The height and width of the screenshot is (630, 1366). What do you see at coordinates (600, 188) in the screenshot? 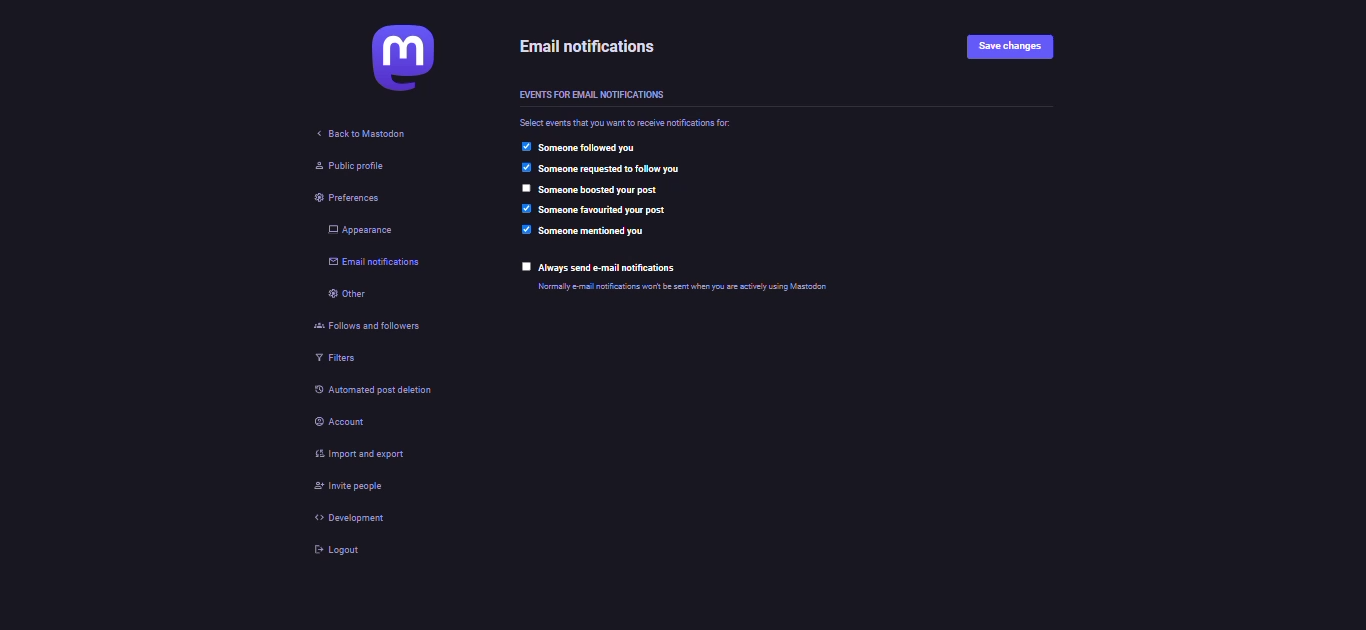
I see `someone boosted your profile` at bounding box center [600, 188].